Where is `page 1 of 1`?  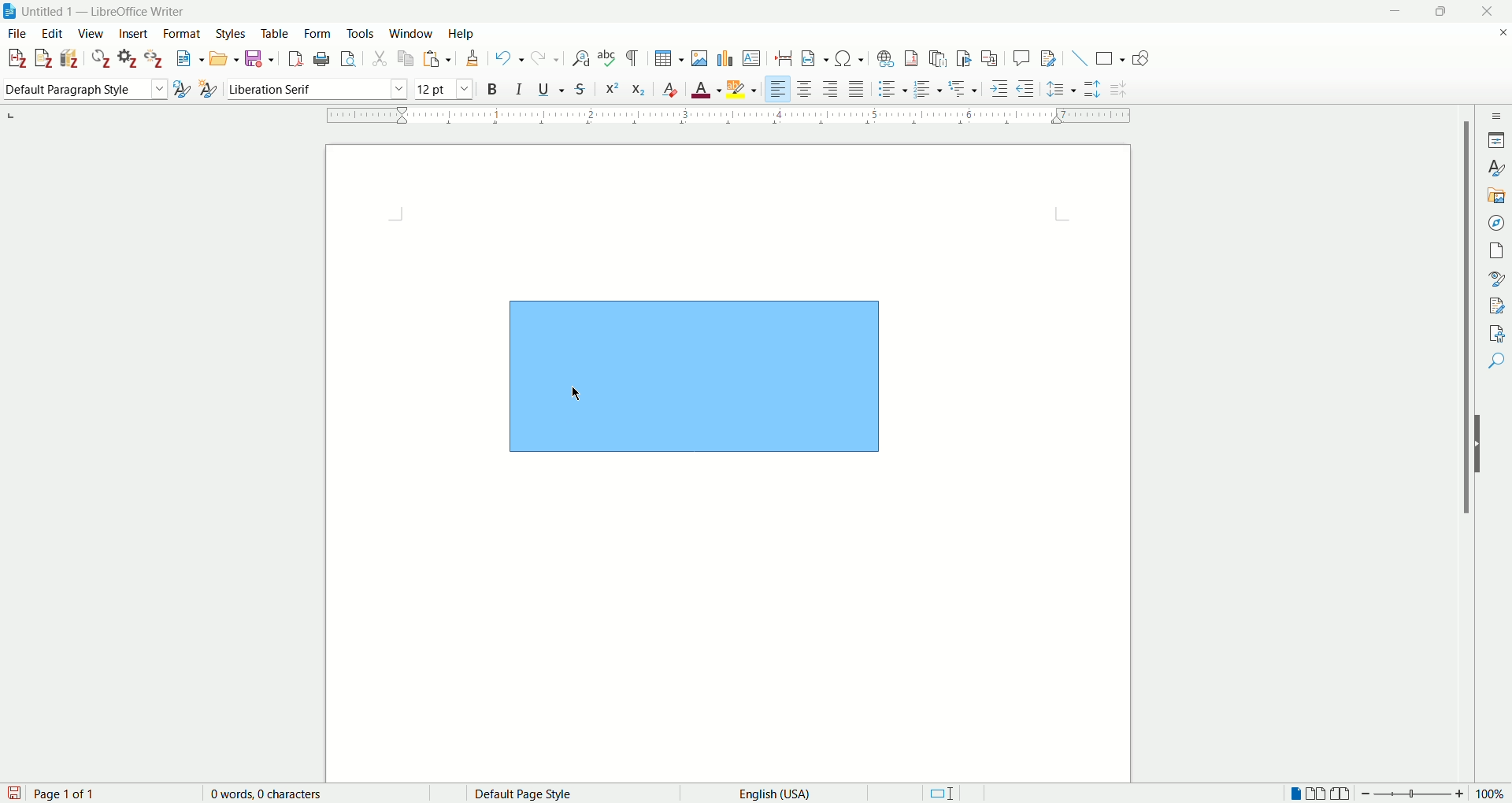 page 1 of 1 is located at coordinates (68, 793).